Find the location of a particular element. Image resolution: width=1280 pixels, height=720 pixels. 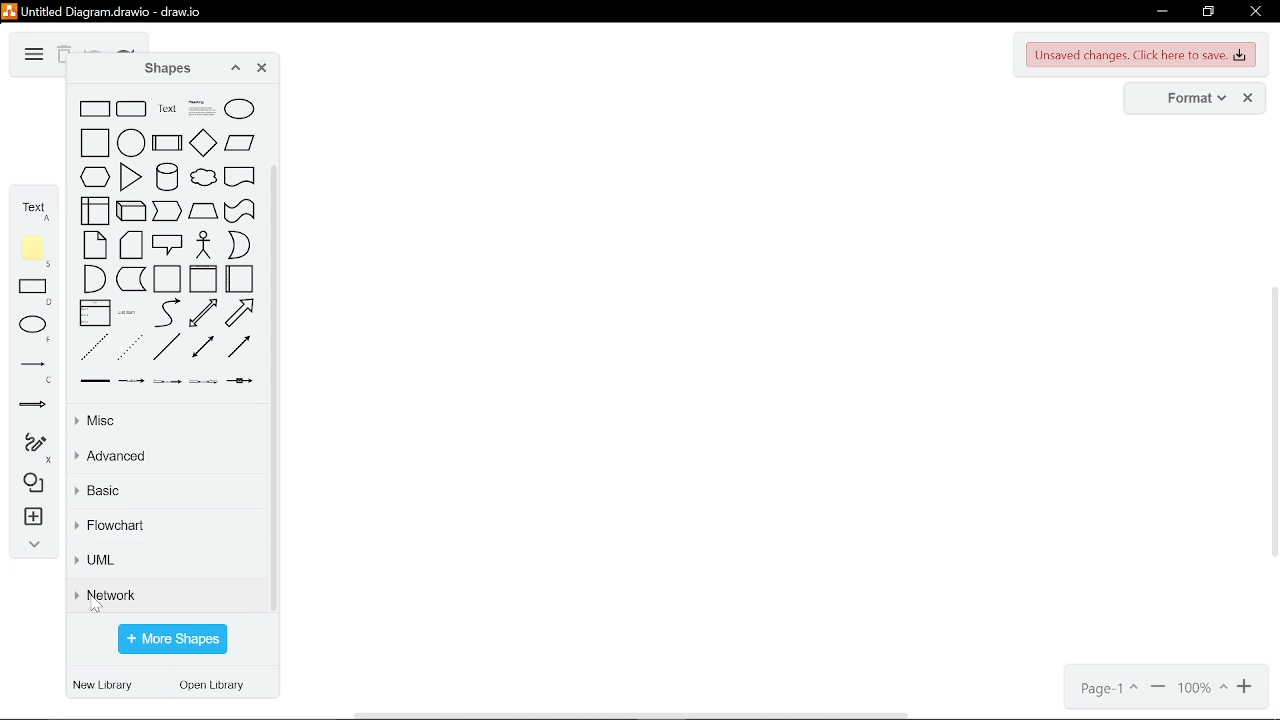

line is located at coordinates (165, 347).